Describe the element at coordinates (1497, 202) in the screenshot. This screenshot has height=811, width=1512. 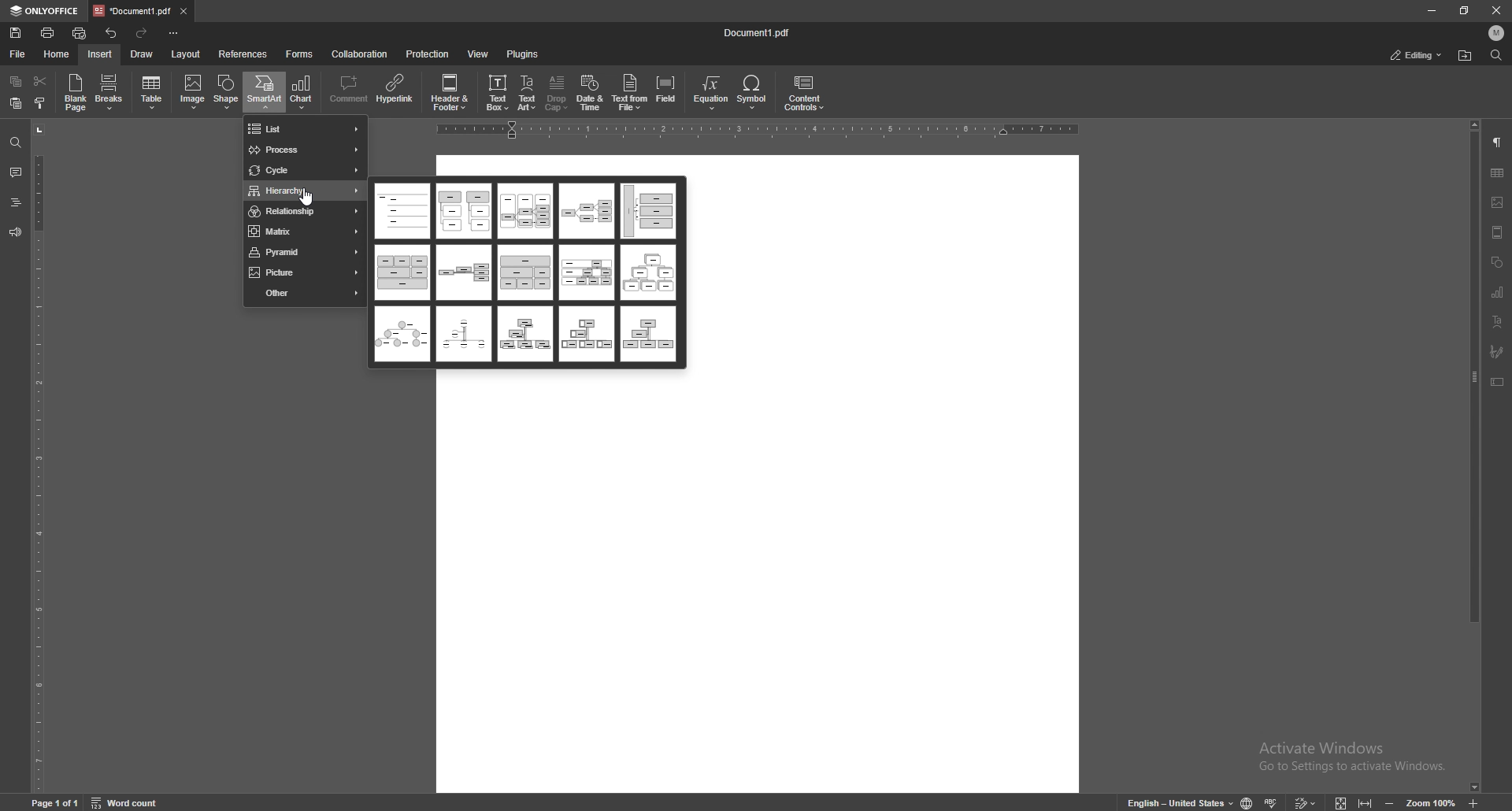
I see `image` at that location.